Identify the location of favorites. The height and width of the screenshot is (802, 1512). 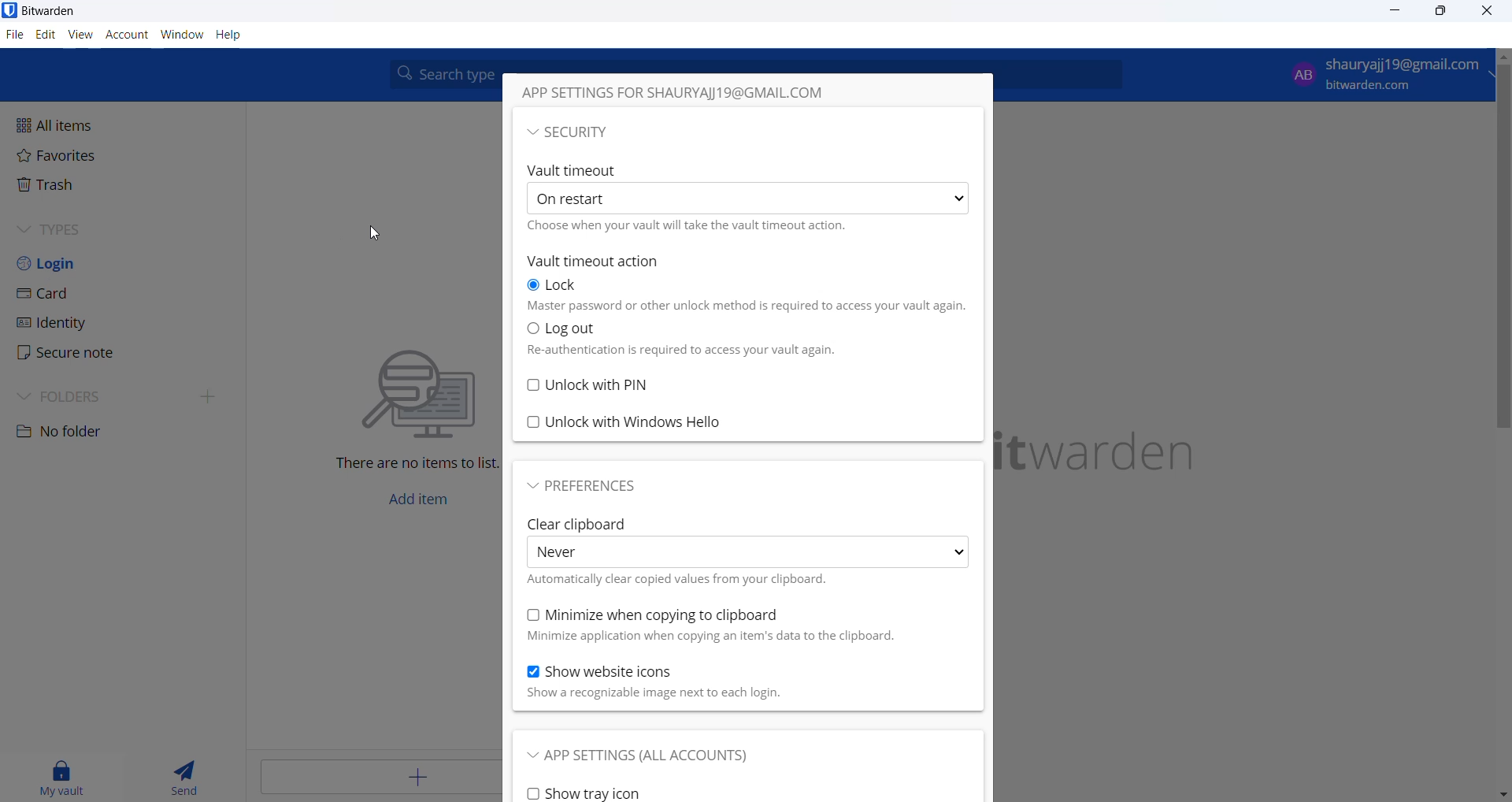
(146, 154).